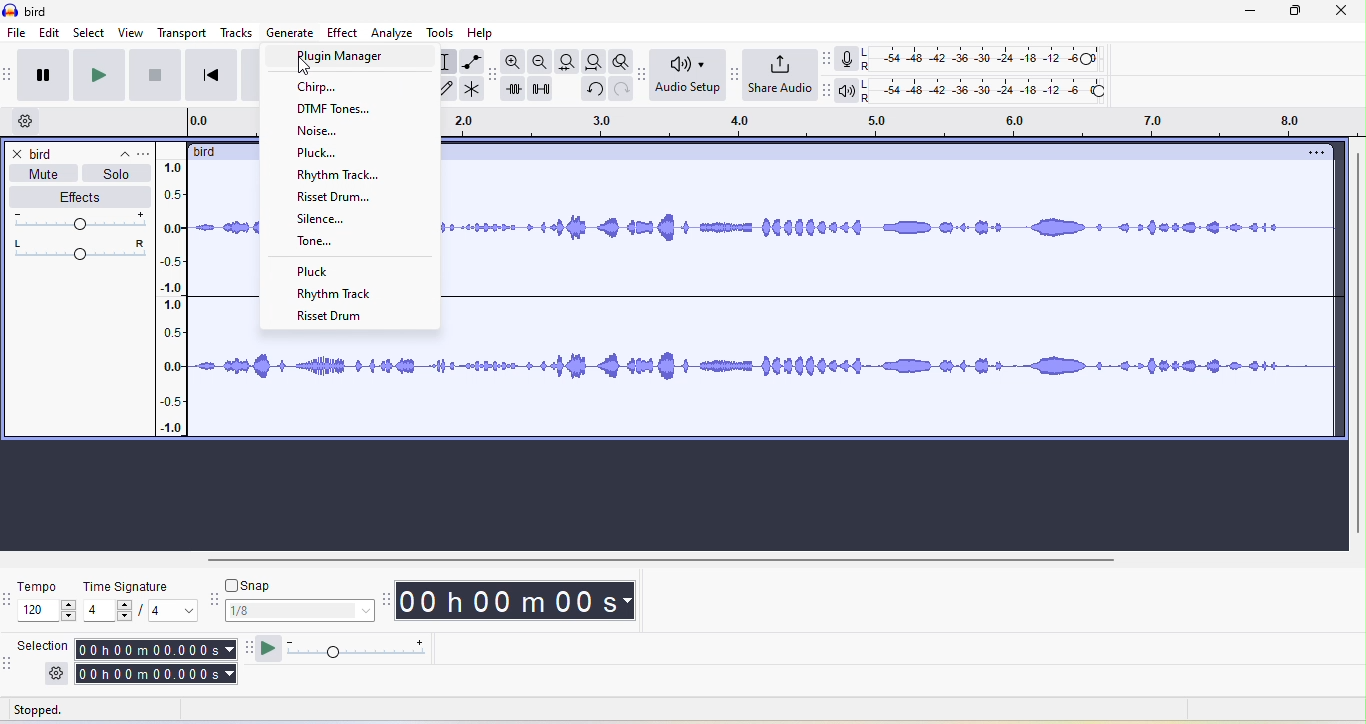 The height and width of the screenshot is (724, 1366). Describe the element at coordinates (50, 173) in the screenshot. I see `mute` at that location.